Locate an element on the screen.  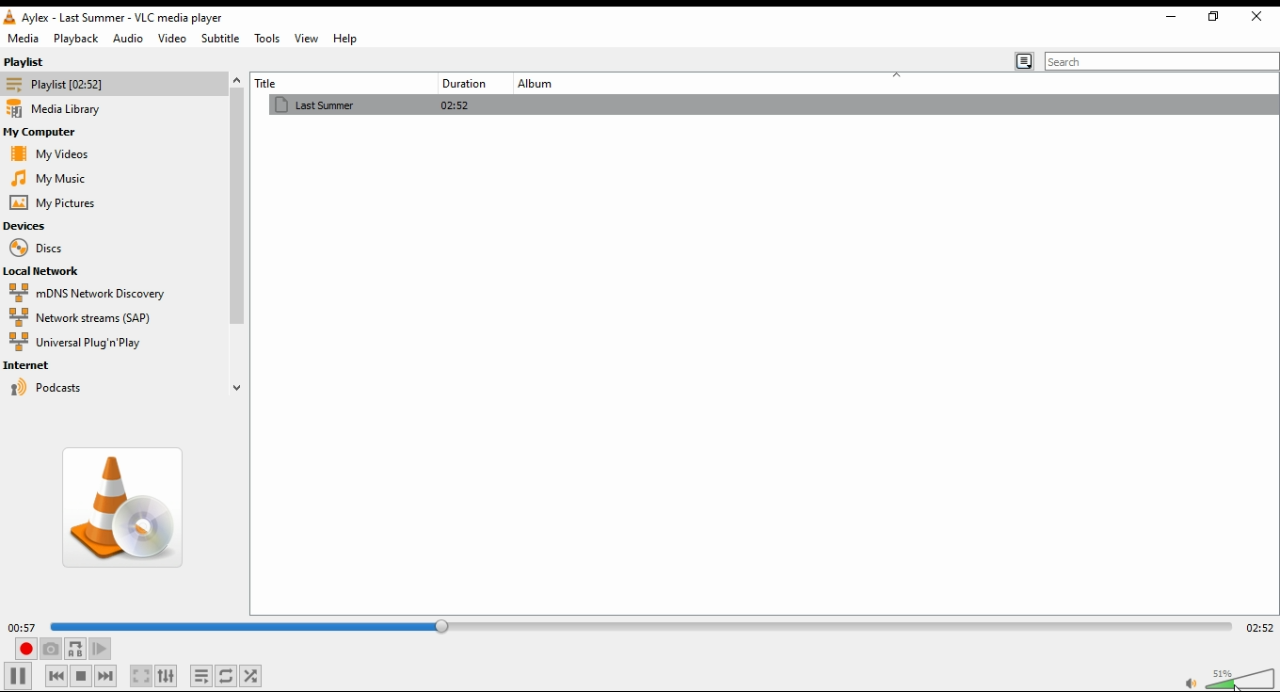
last summer 02:52 is located at coordinates (463, 104).